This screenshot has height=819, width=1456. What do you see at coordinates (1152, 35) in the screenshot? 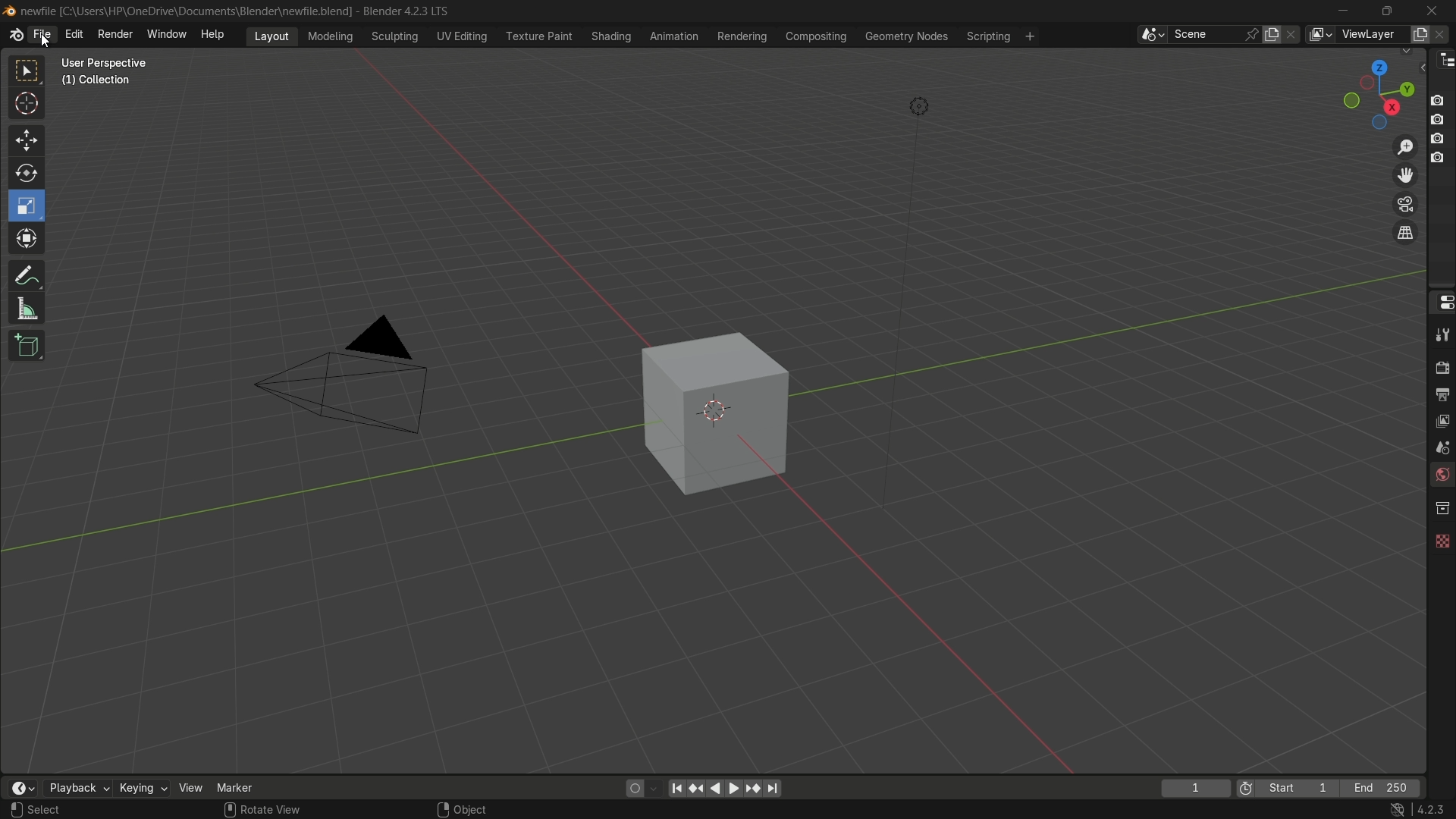
I see `browse scenes` at bounding box center [1152, 35].